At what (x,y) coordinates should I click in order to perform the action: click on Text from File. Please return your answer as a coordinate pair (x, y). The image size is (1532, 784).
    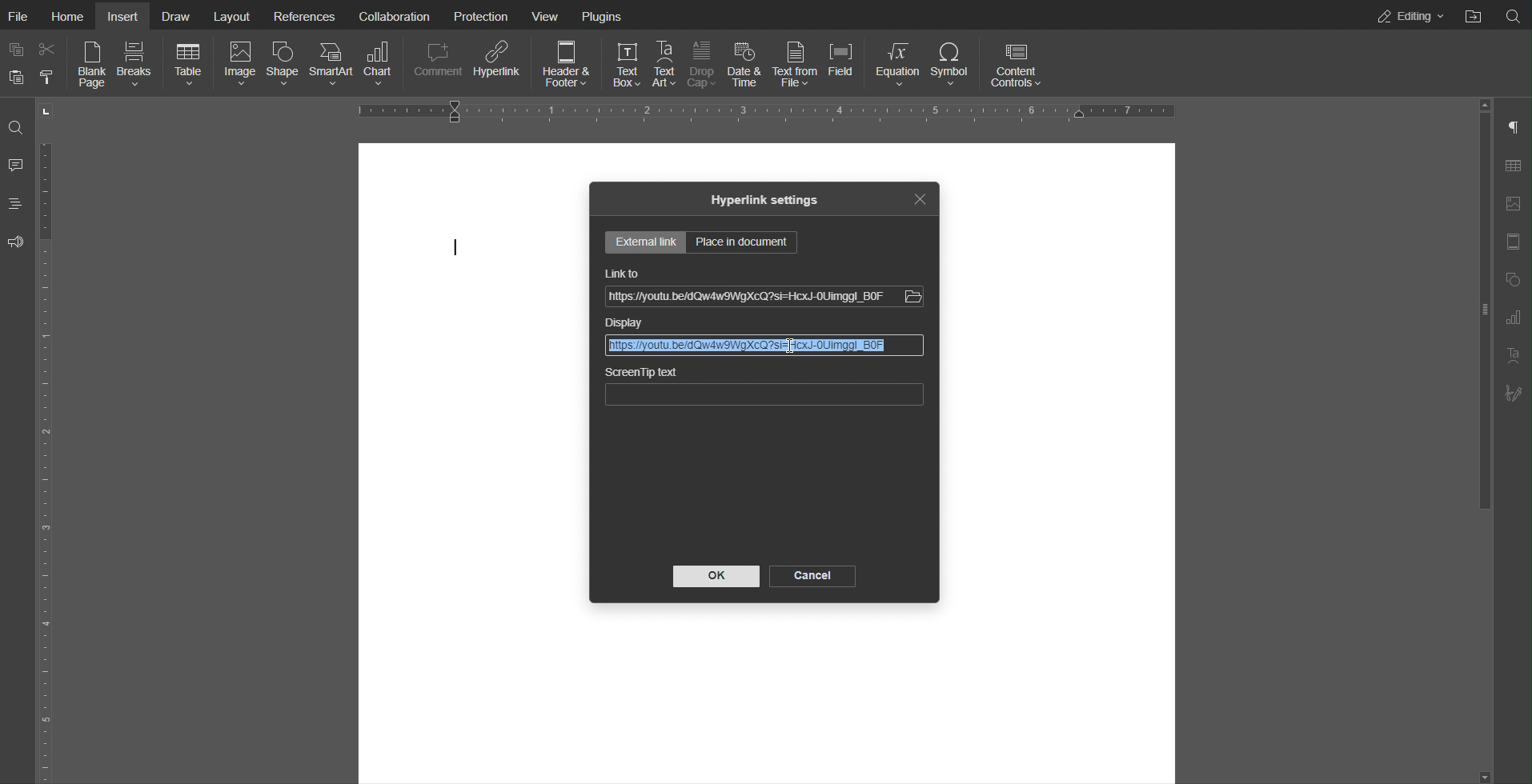
    Looking at the image, I should click on (801, 66).